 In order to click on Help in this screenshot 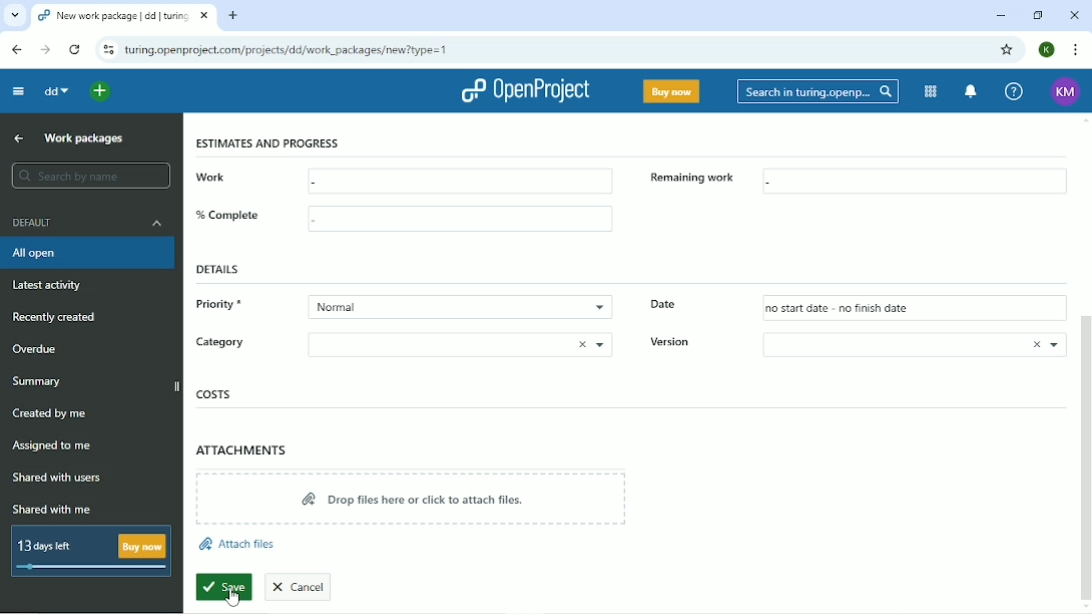, I will do `click(1014, 91)`.